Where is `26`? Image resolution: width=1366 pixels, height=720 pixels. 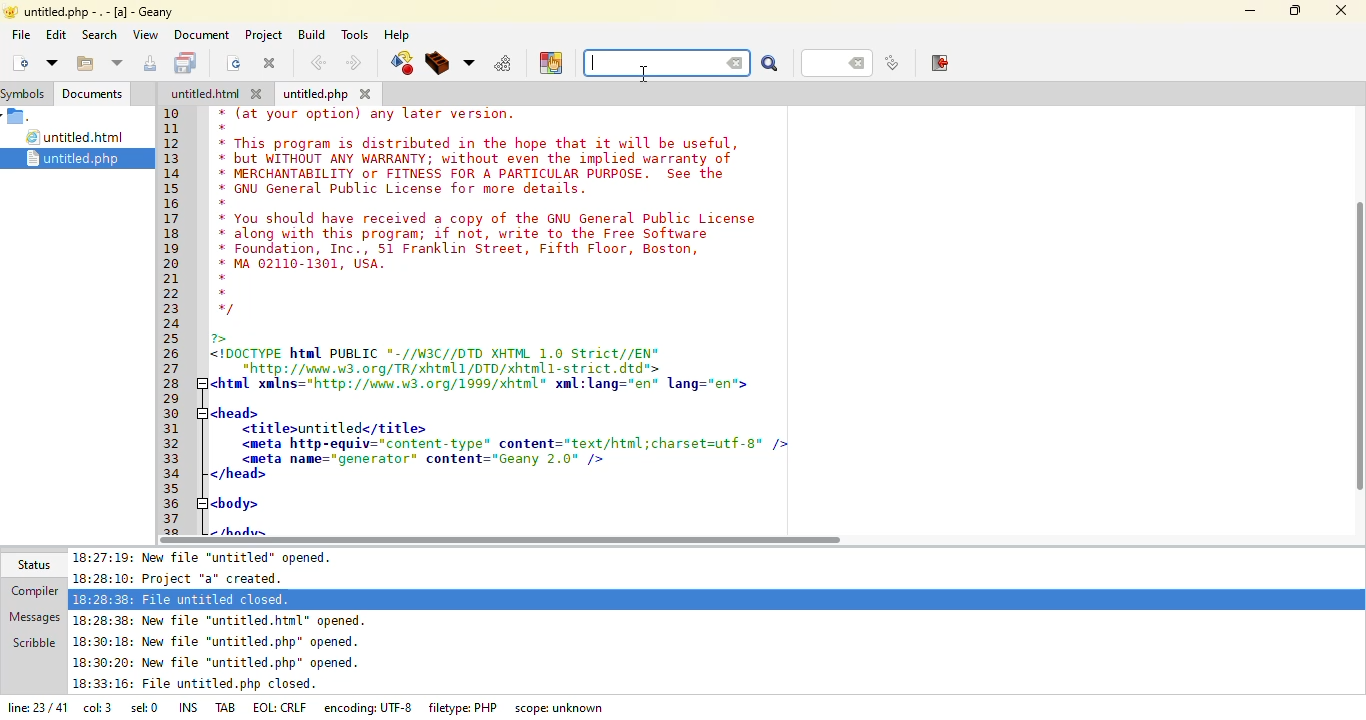
26 is located at coordinates (173, 354).